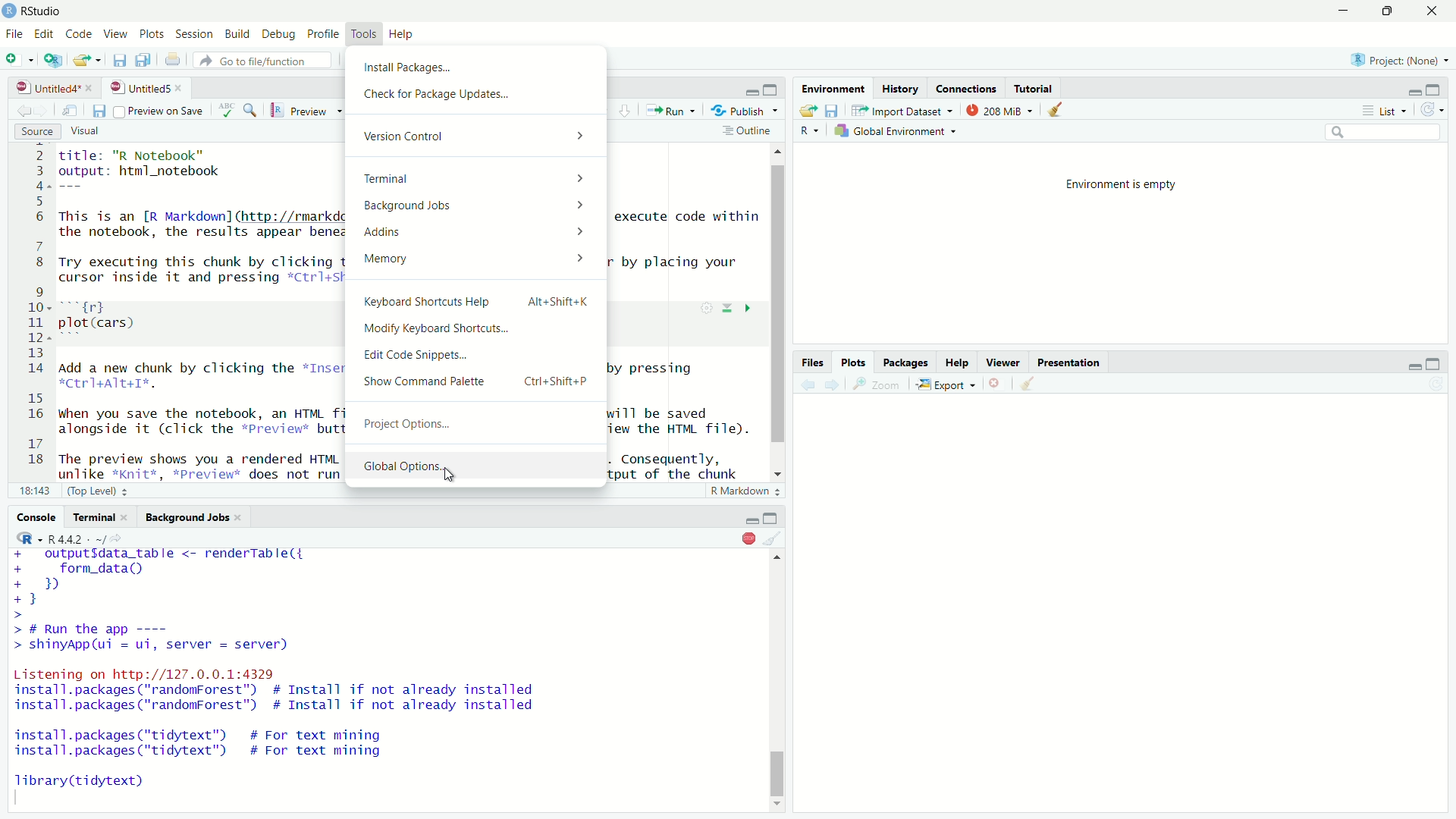 This screenshot has width=1456, height=819. What do you see at coordinates (94, 132) in the screenshot?
I see `Visual` at bounding box center [94, 132].